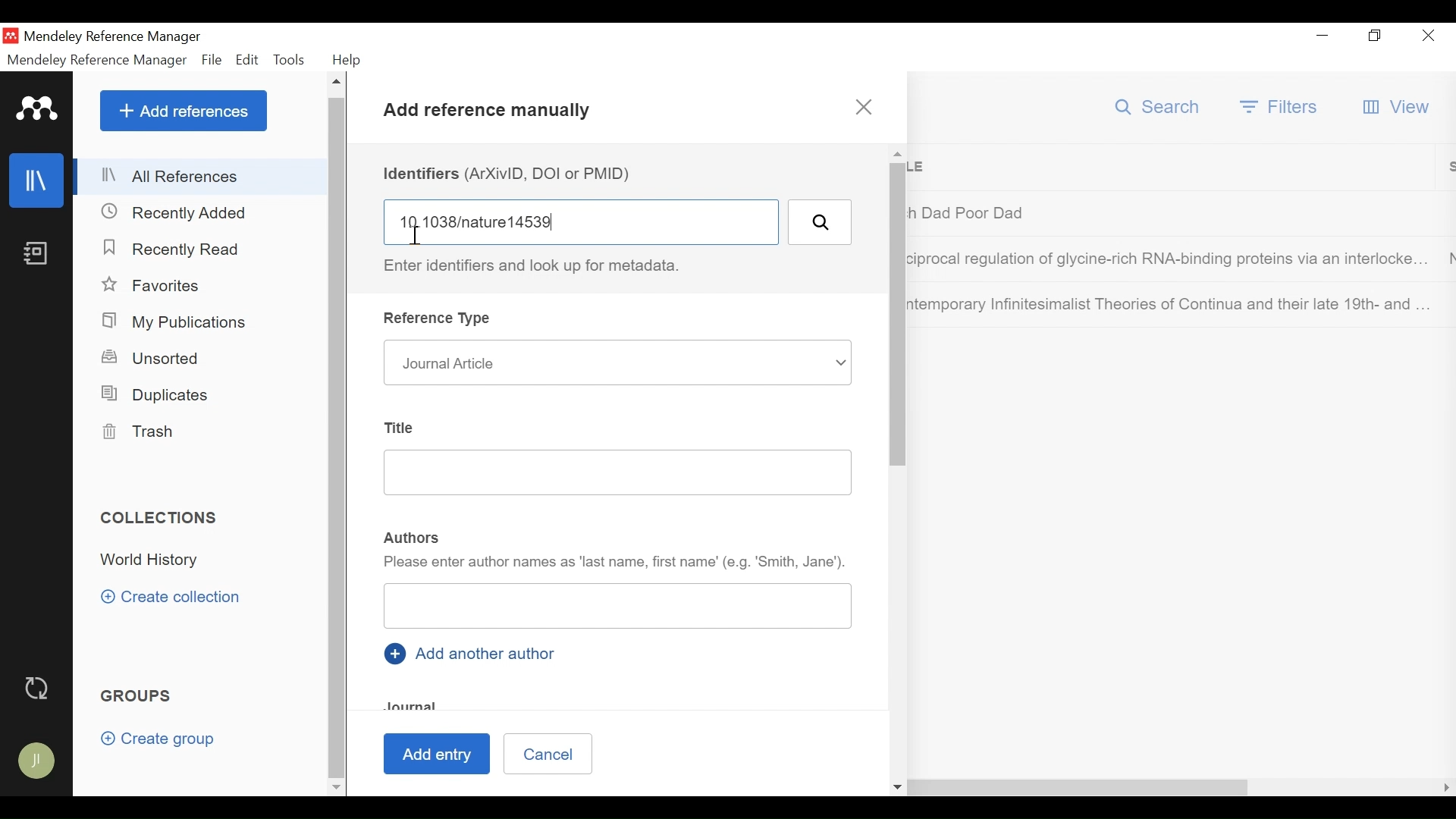 This screenshot has height=819, width=1456. I want to click on search, so click(819, 222).